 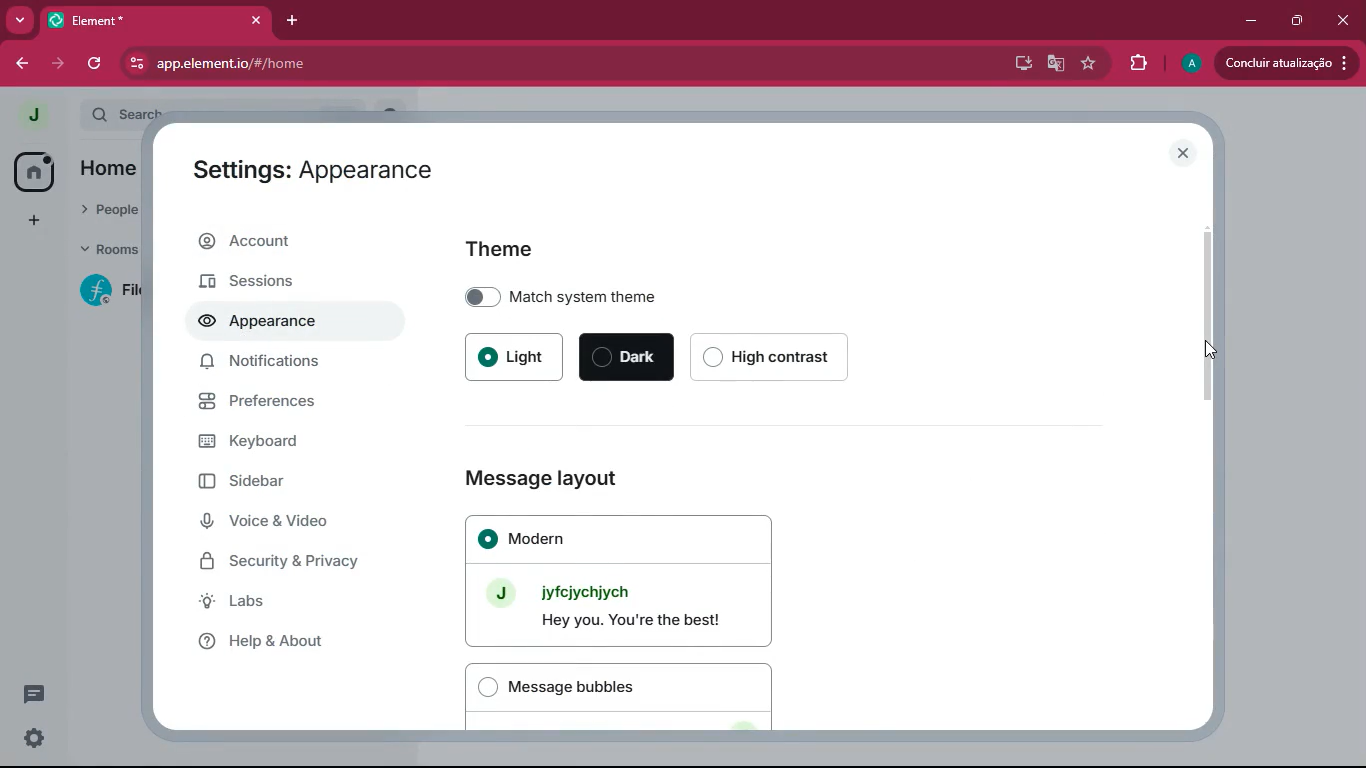 What do you see at coordinates (106, 248) in the screenshot?
I see `rooms` at bounding box center [106, 248].